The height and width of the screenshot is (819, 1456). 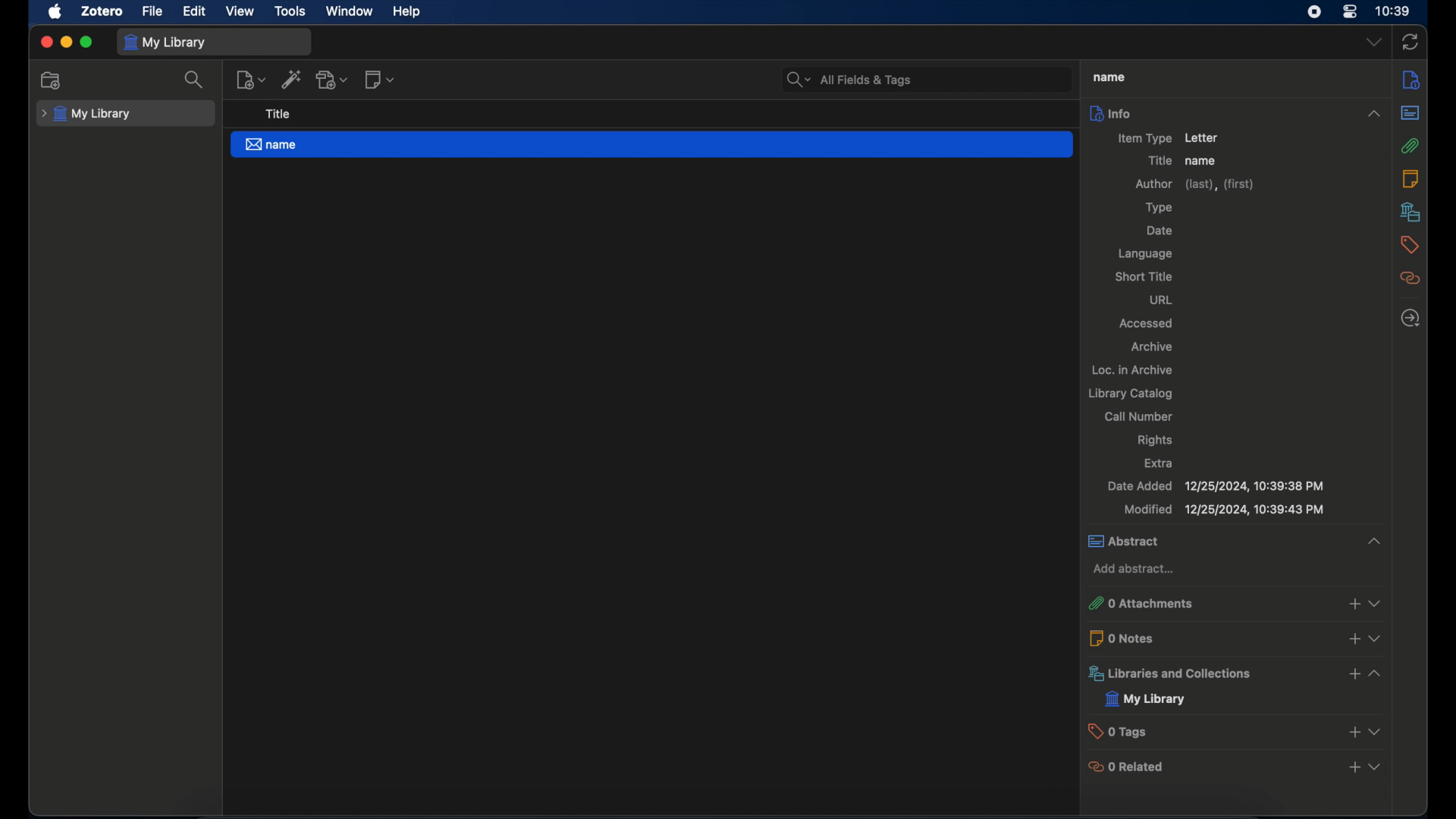 I want to click on new item, so click(x=250, y=80).